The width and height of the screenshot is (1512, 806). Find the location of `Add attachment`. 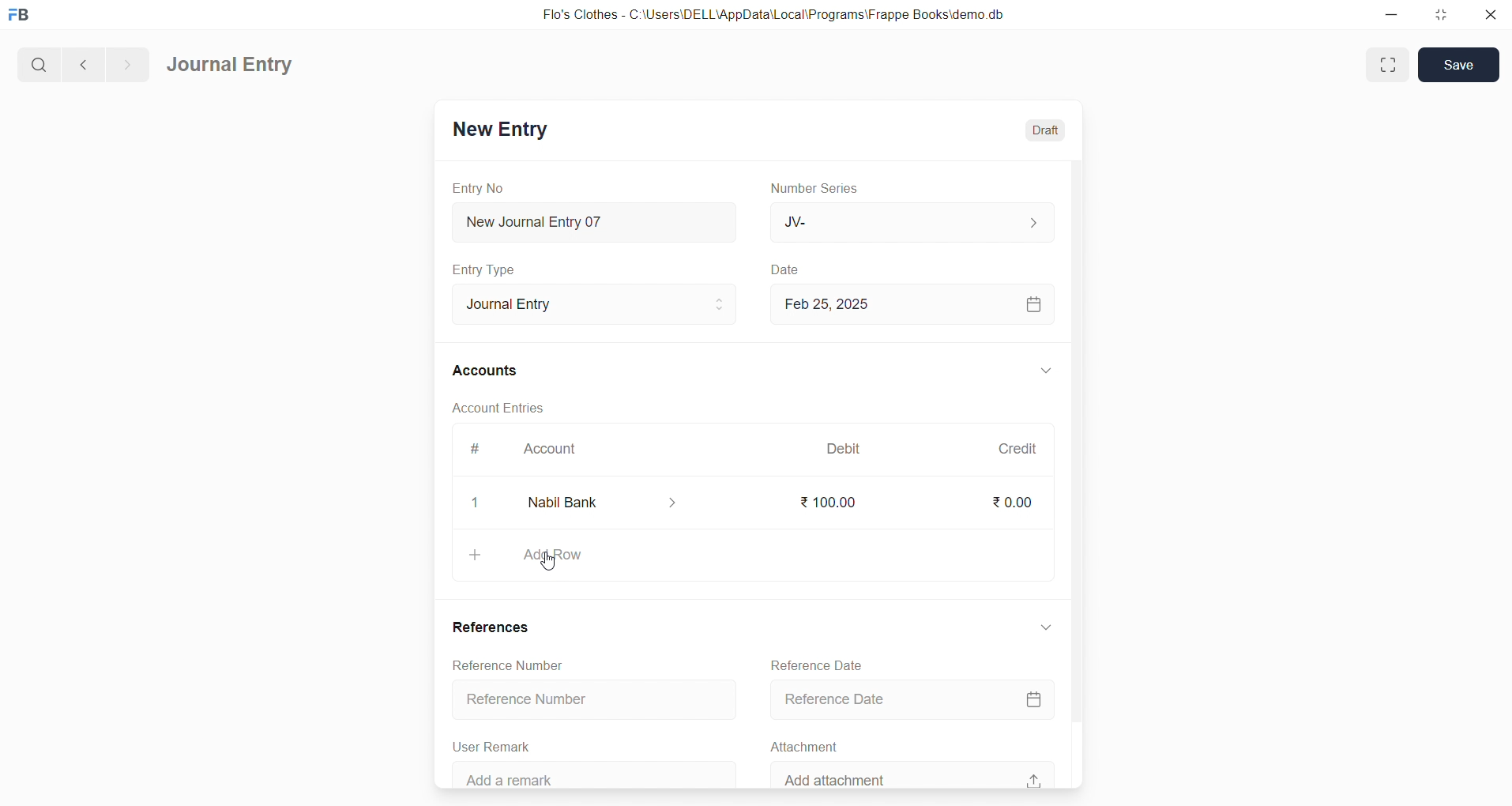

Add attachment is located at coordinates (912, 774).